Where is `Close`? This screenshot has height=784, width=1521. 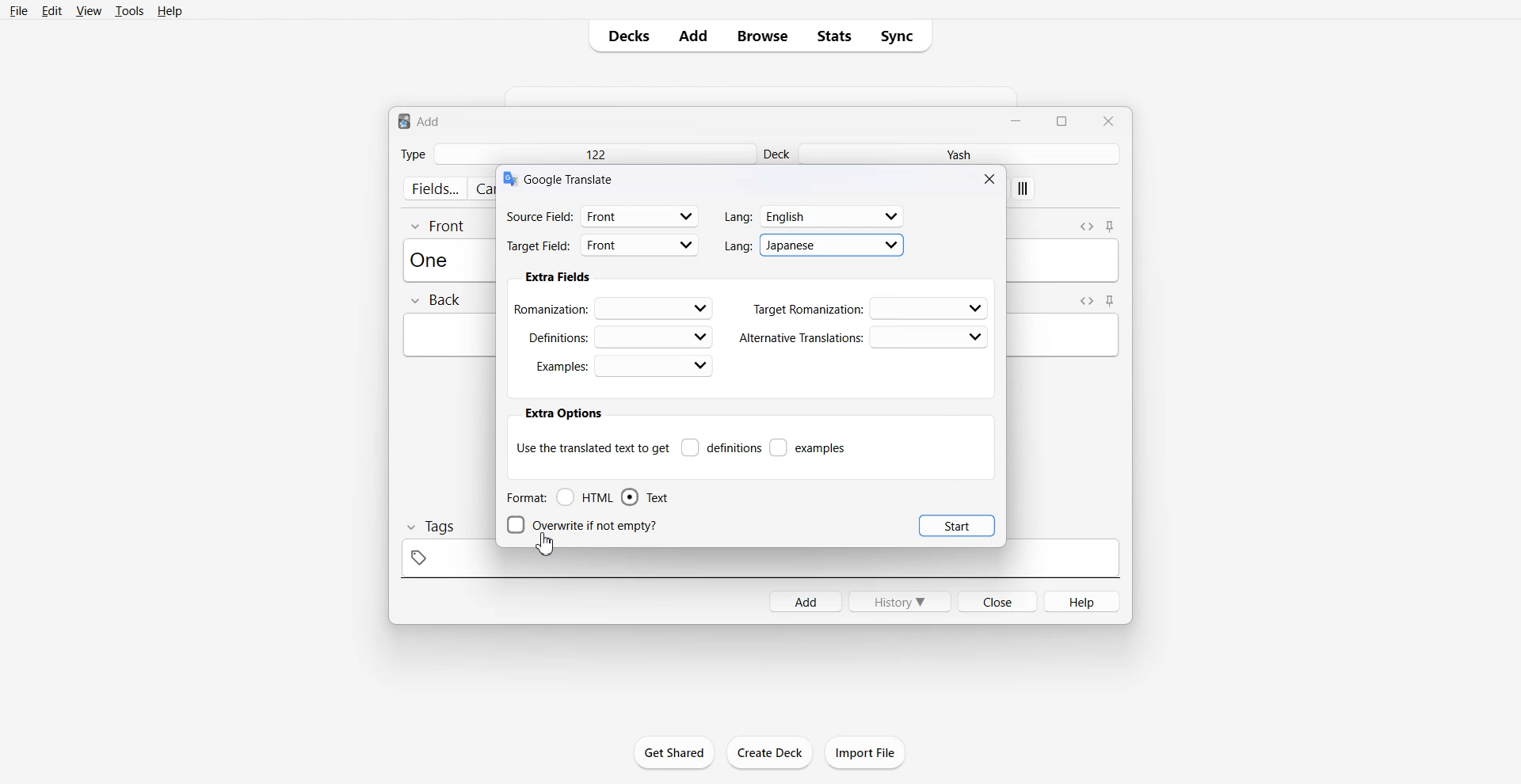
Close is located at coordinates (997, 600).